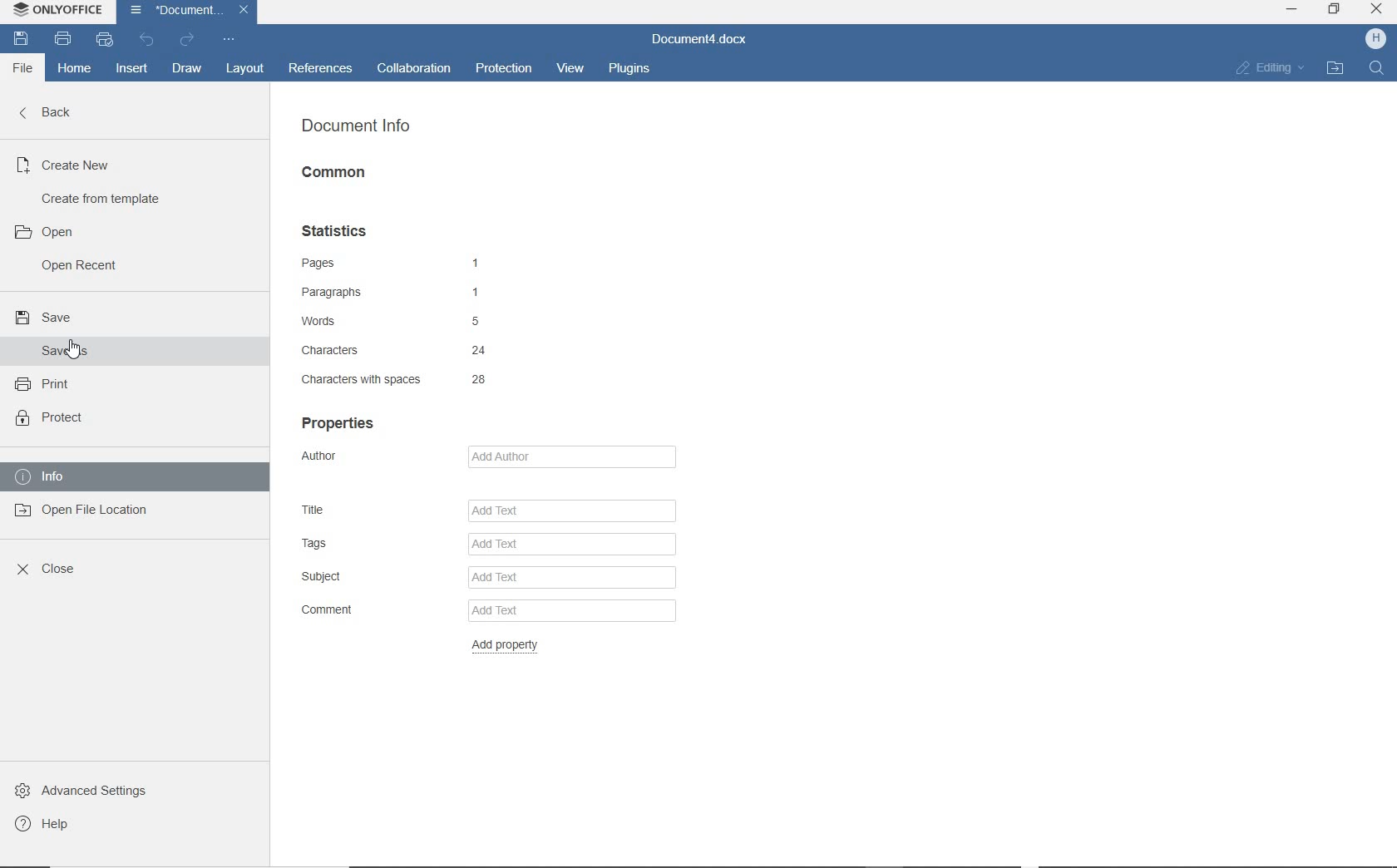  I want to click on create from template, so click(106, 197).